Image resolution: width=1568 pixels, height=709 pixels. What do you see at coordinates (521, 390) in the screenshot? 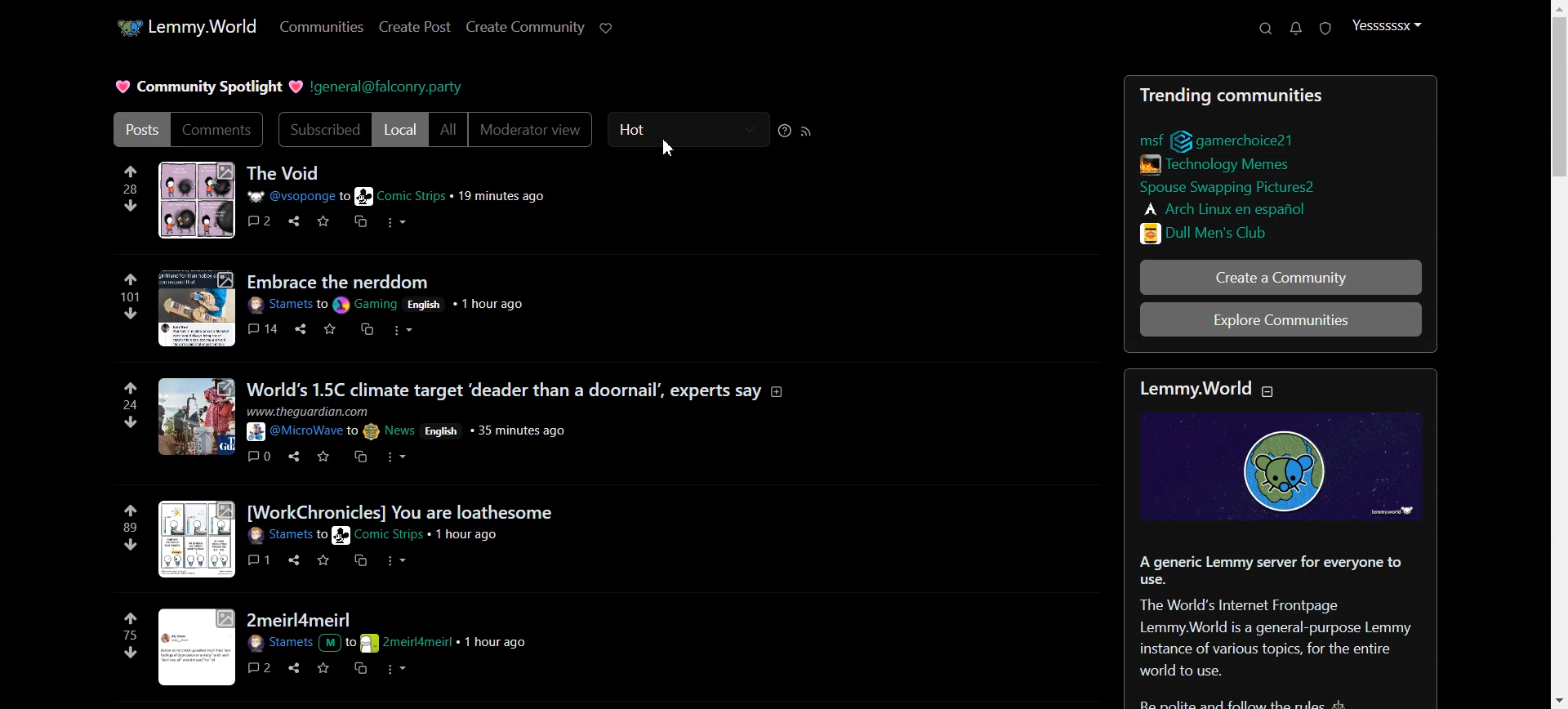
I see `post` at bounding box center [521, 390].